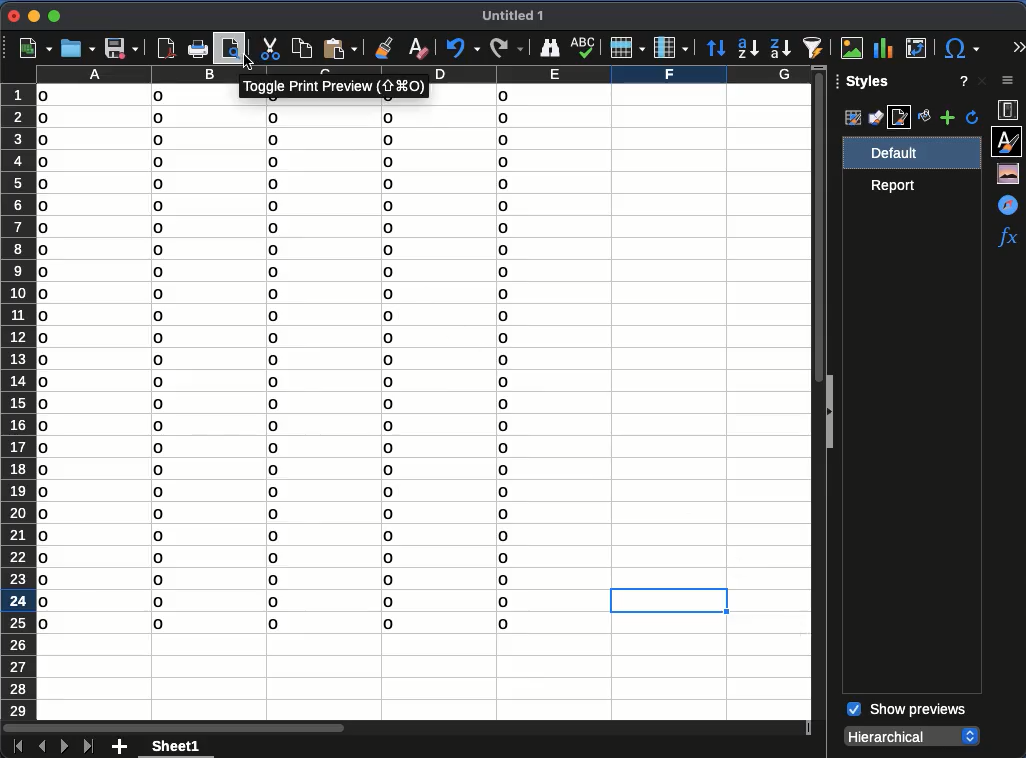  What do you see at coordinates (876, 117) in the screenshot?
I see `drawing styles` at bounding box center [876, 117].